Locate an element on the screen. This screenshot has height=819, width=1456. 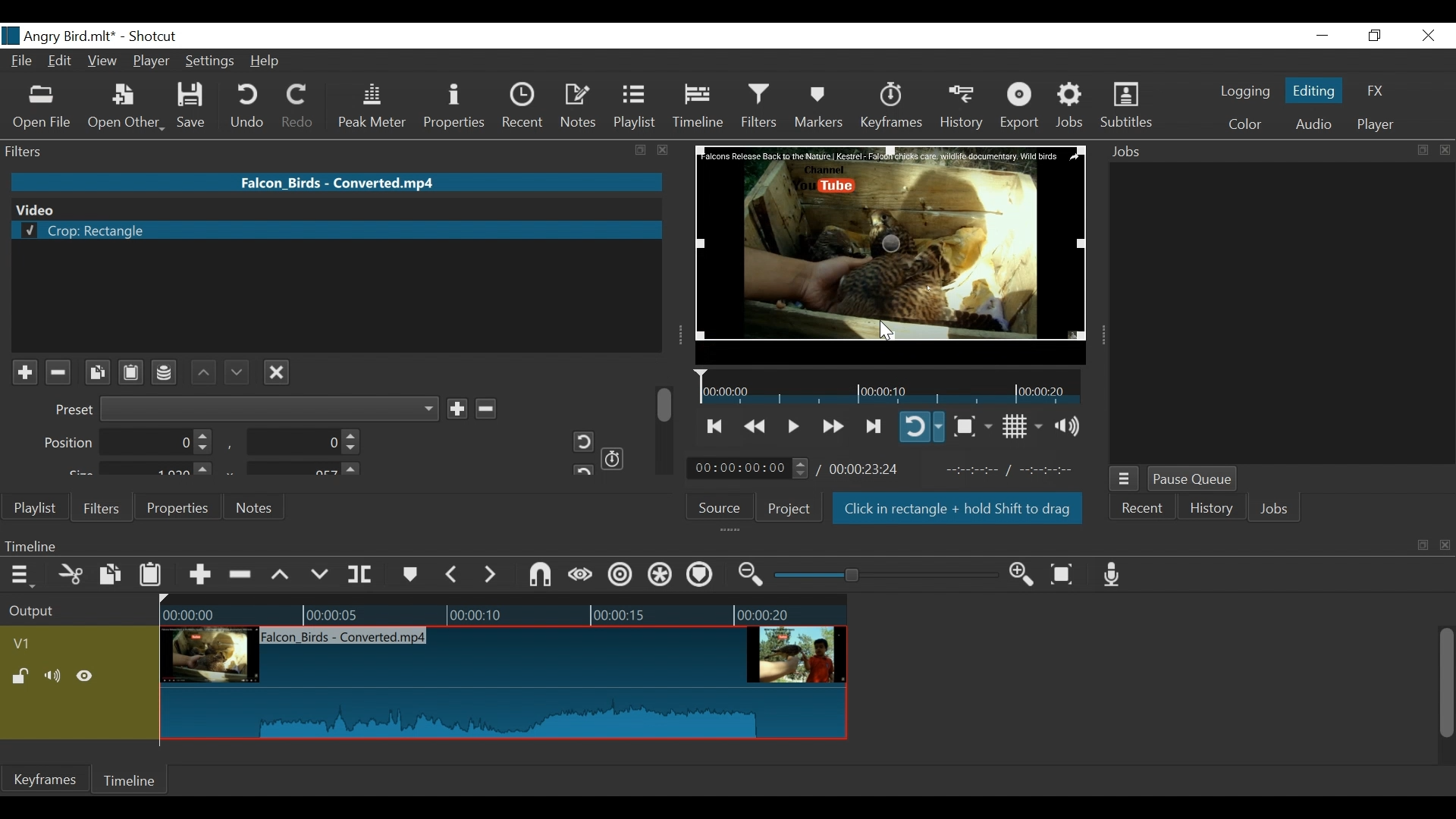
restart is located at coordinates (581, 469).